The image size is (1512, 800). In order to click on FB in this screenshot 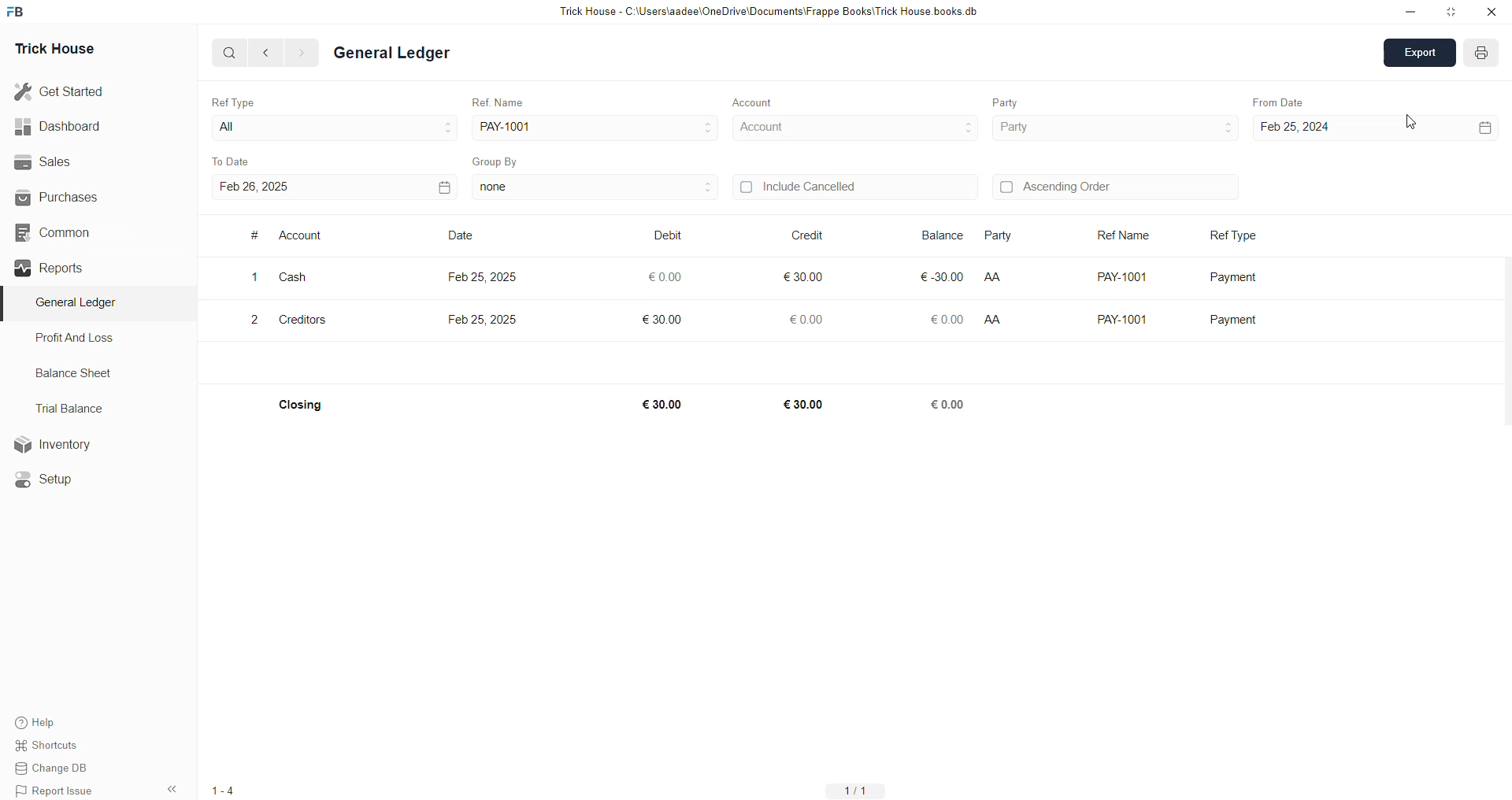, I will do `click(18, 10)`.